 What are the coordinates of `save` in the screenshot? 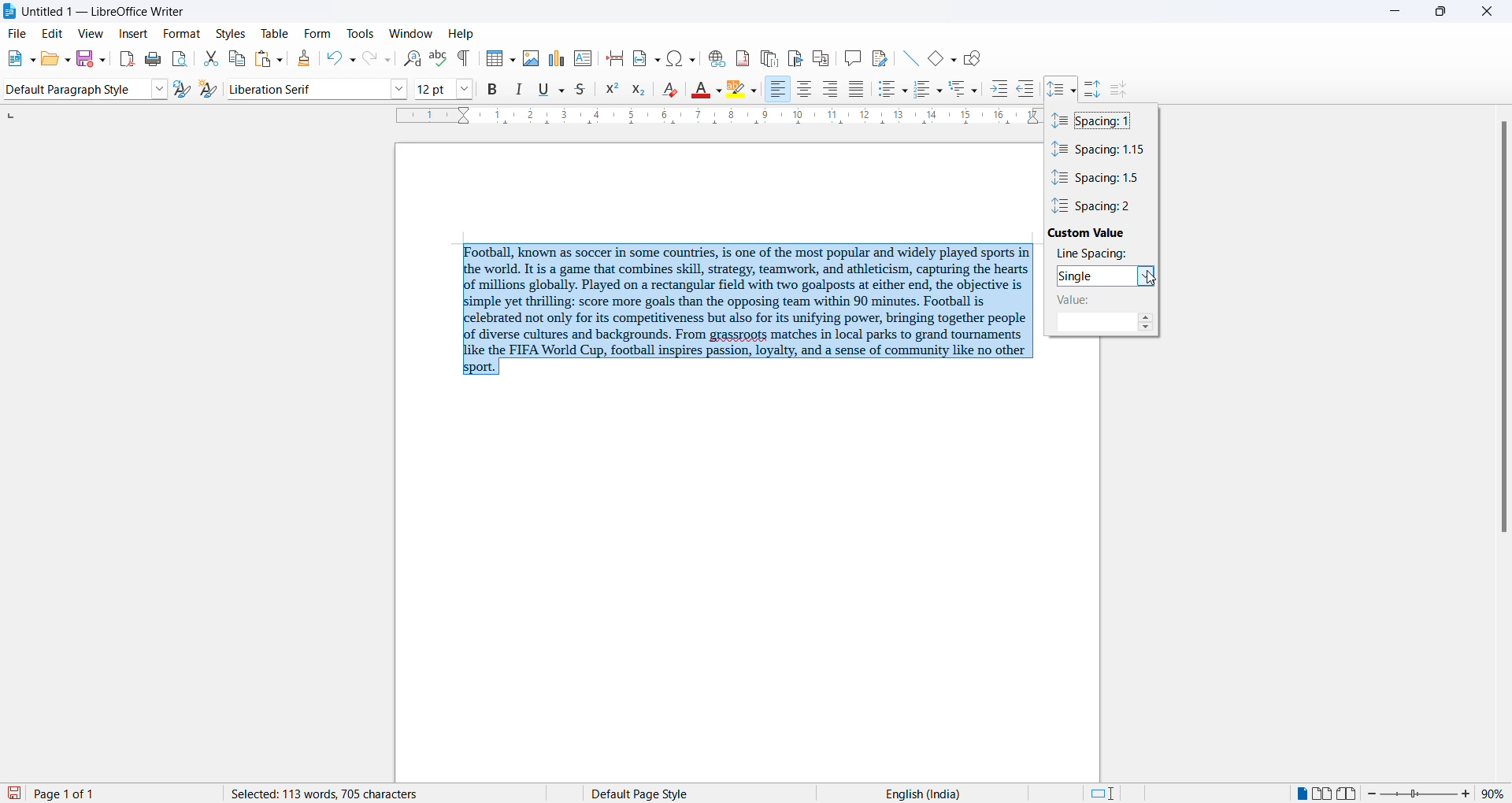 It's located at (82, 57).